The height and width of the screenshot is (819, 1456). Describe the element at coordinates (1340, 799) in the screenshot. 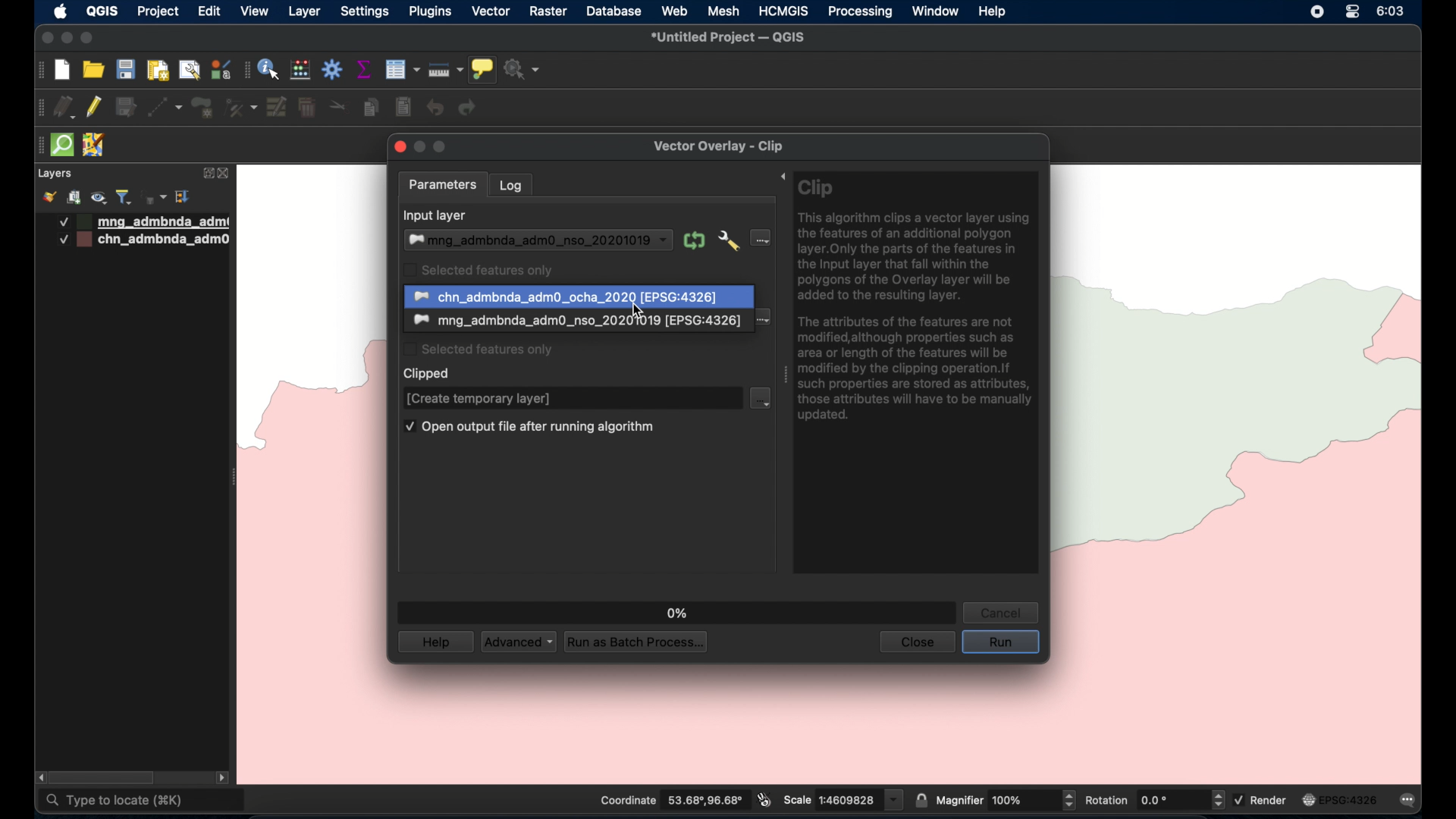

I see `current crs` at that location.